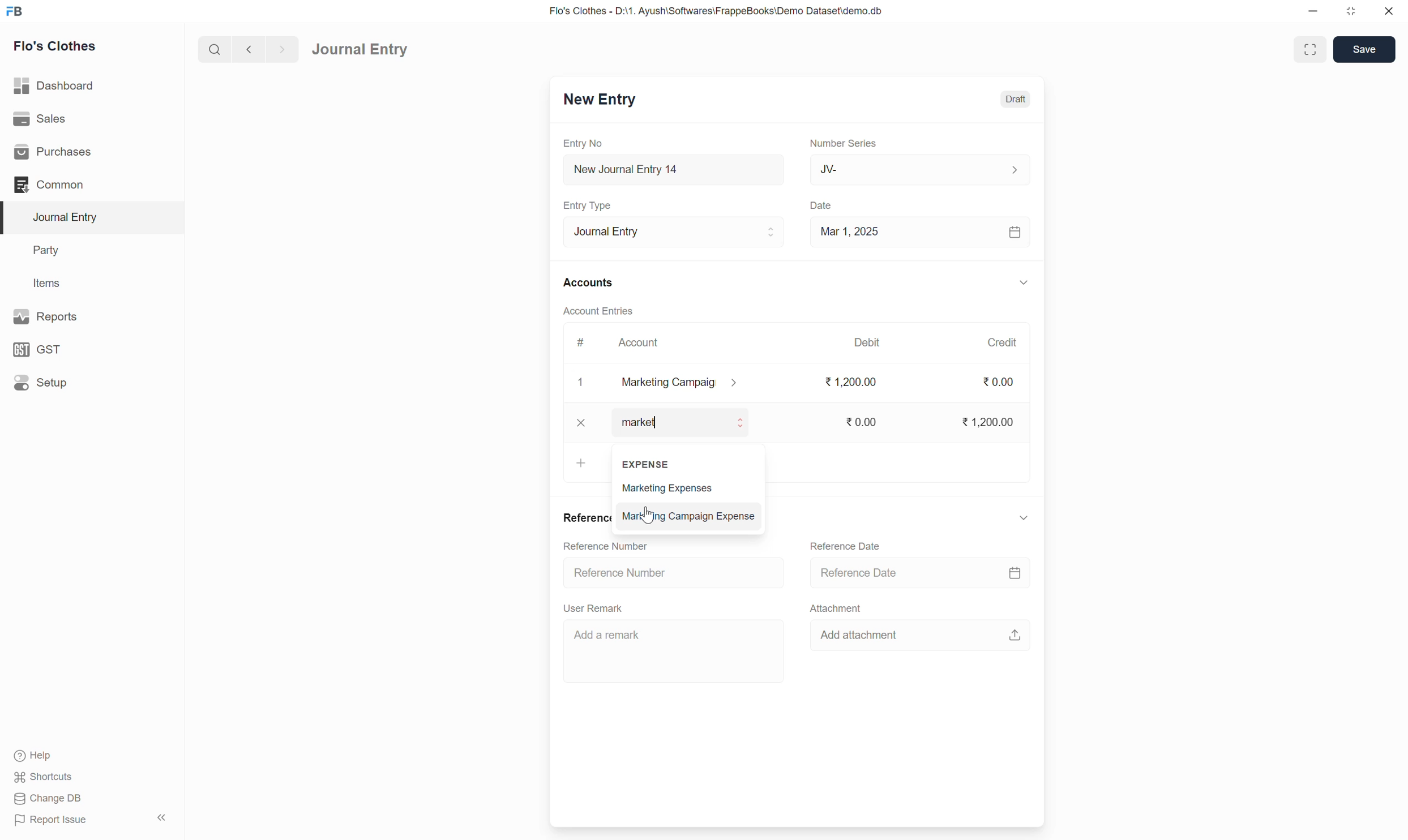 This screenshot has height=840, width=1408. What do you see at coordinates (599, 310) in the screenshot?
I see `Account Entries` at bounding box center [599, 310].